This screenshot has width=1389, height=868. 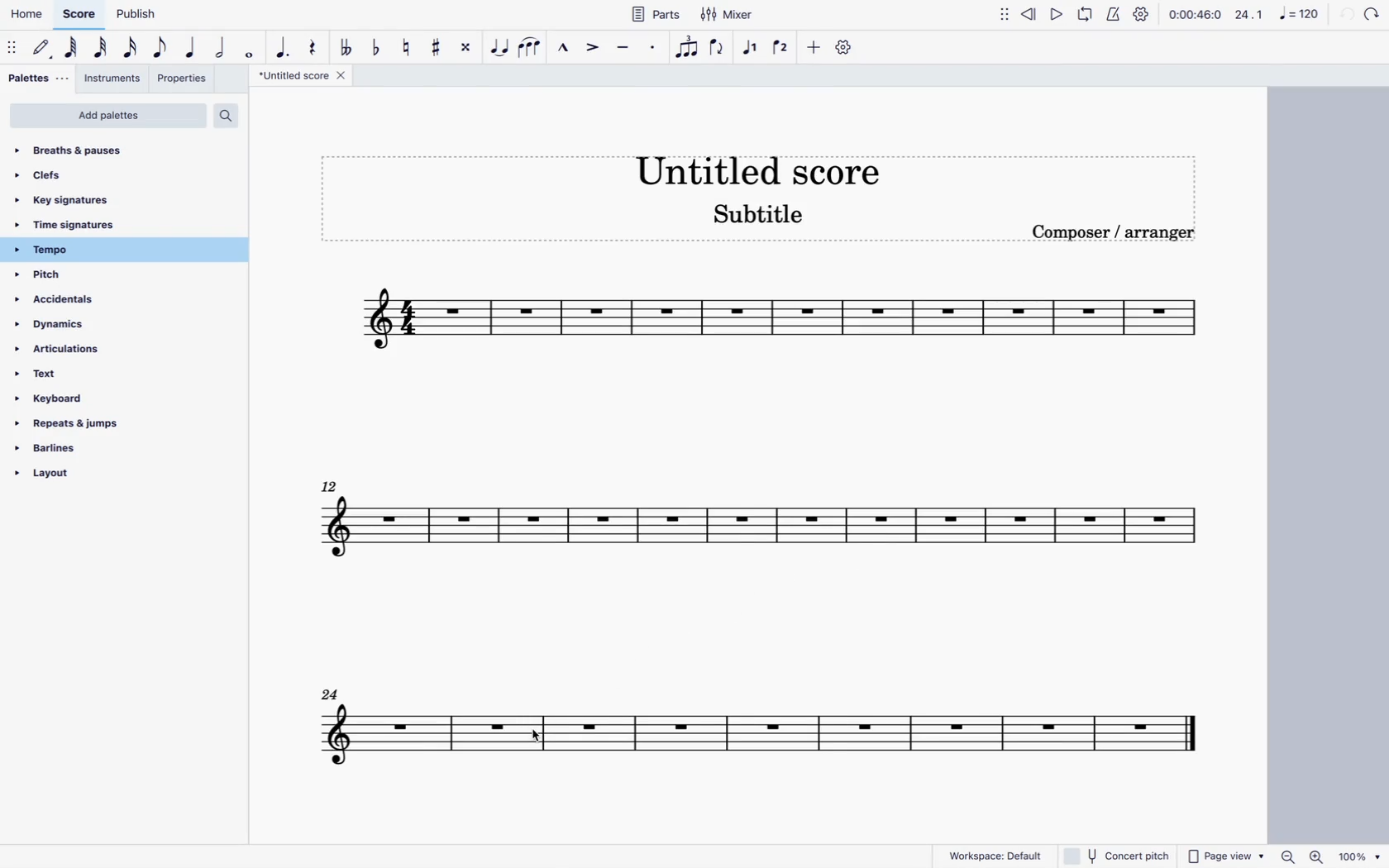 What do you see at coordinates (103, 49) in the screenshot?
I see `32nd note` at bounding box center [103, 49].